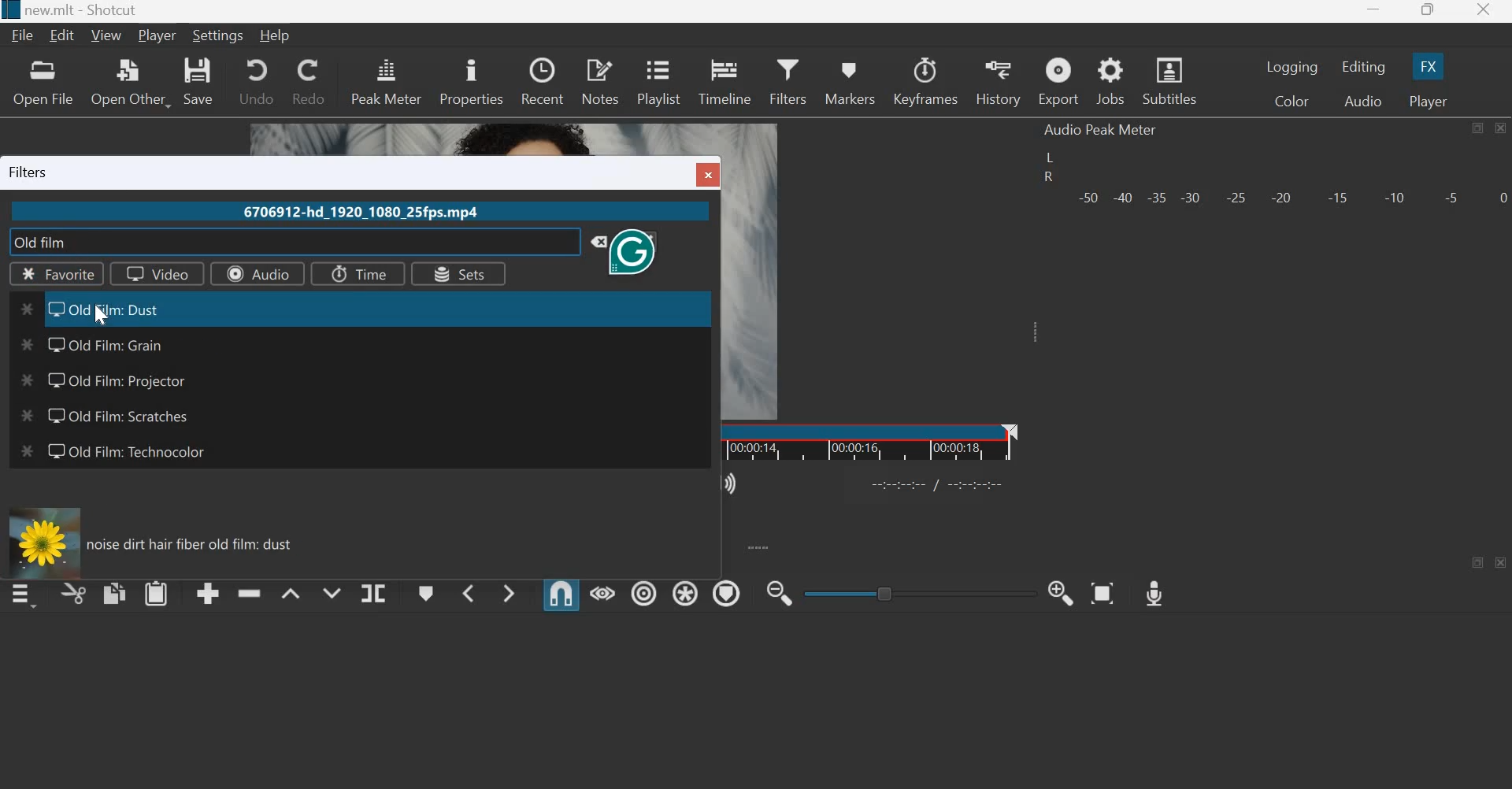  Describe the element at coordinates (355, 272) in the screenshot. I see `Time` at that location.